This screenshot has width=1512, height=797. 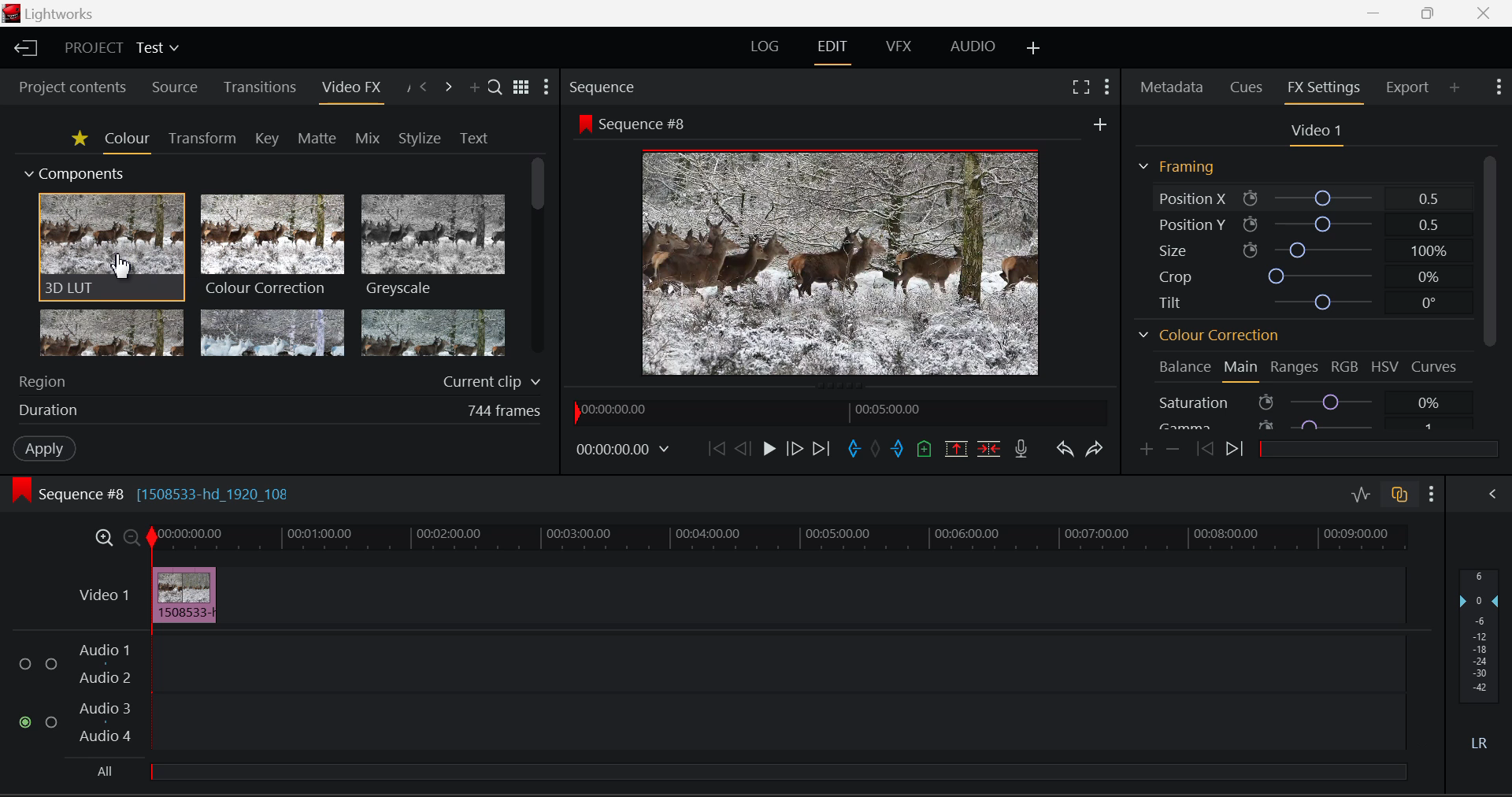 What do you see at coordinates (1246, 87) in the screenshot?
I see `Cues` at bounding box center [1246, 87].